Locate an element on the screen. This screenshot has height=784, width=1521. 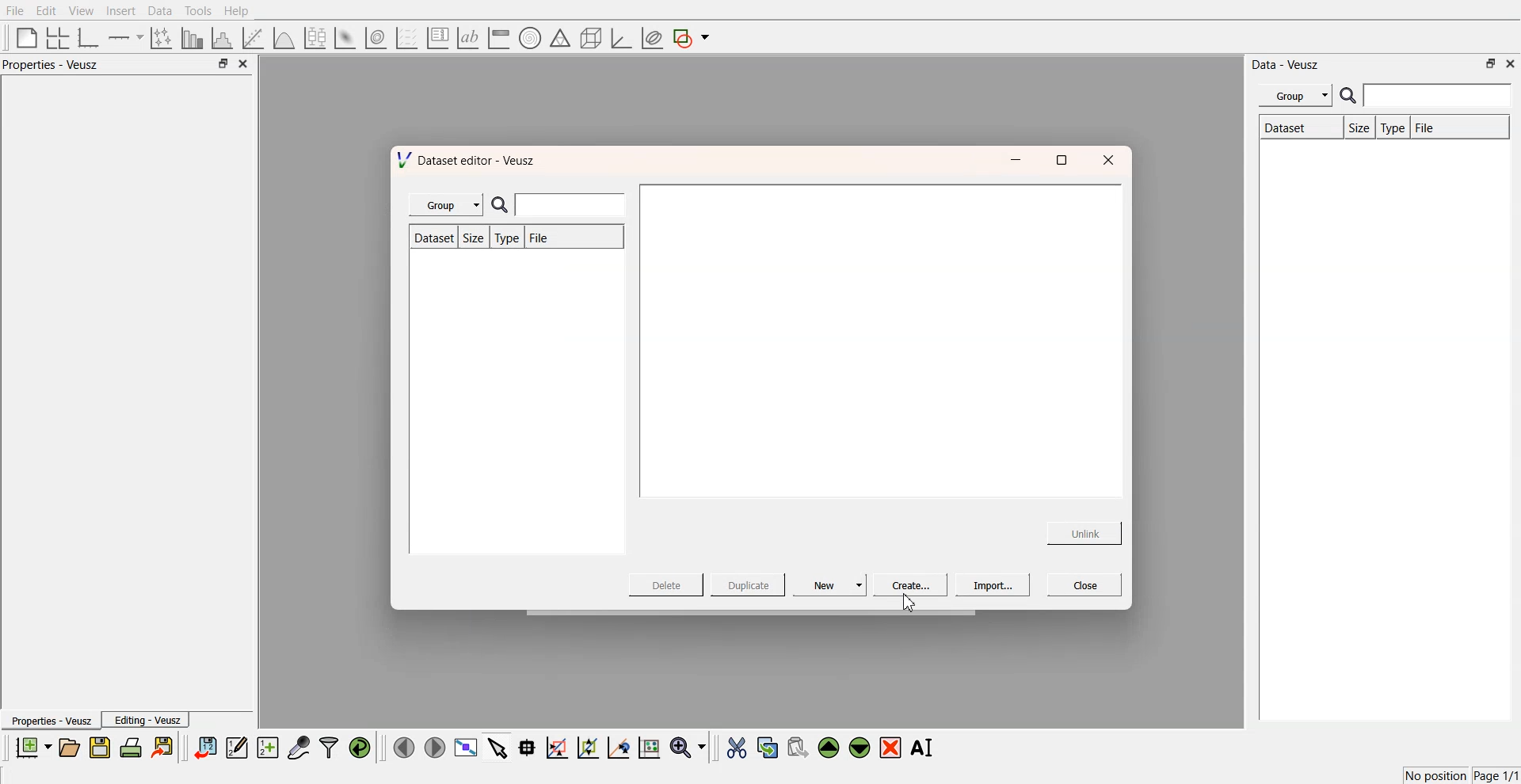
 is located at coordinates (1295, 96).